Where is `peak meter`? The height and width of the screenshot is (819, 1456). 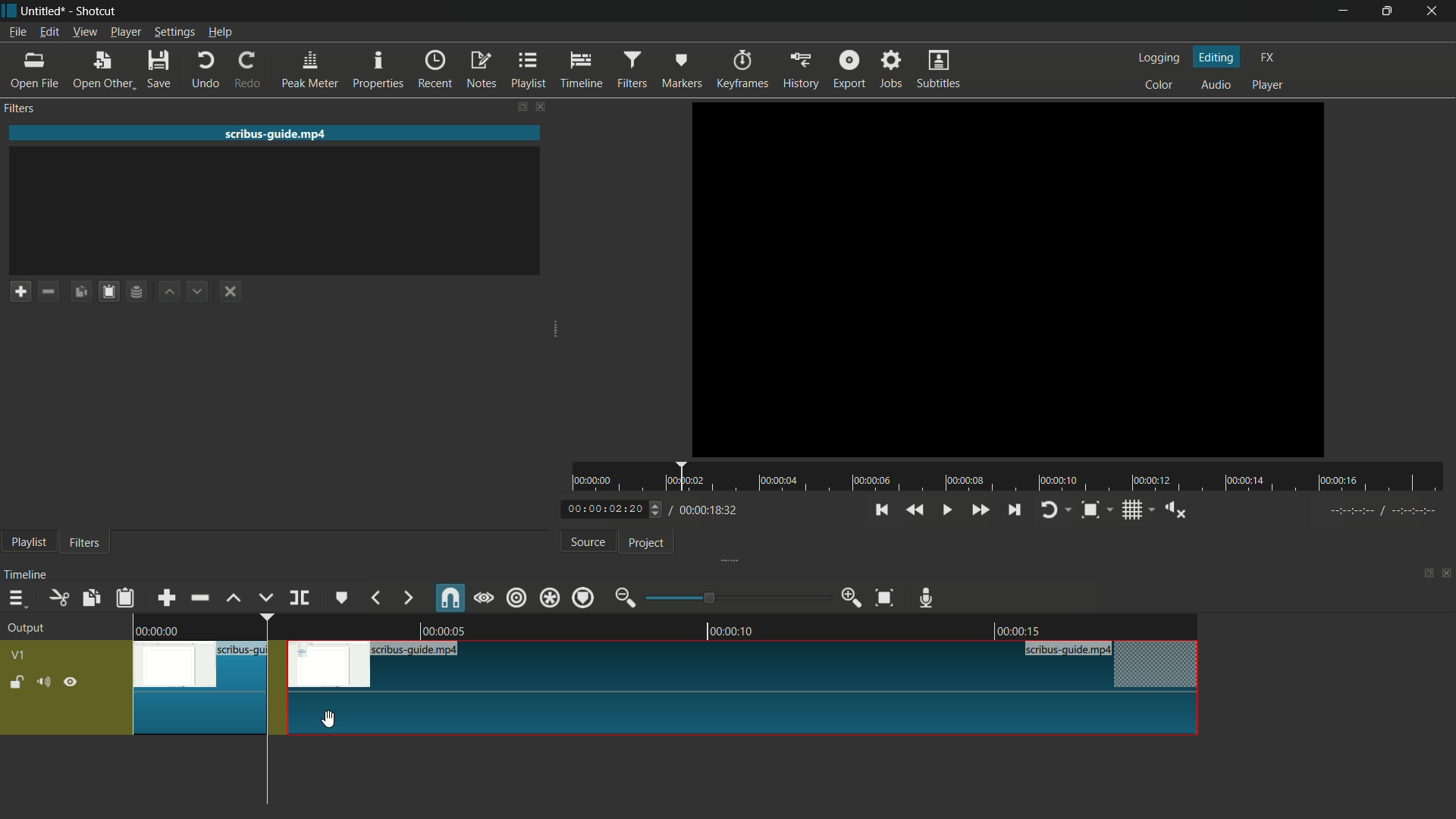 peak meter is located at coordinates (311, 69).